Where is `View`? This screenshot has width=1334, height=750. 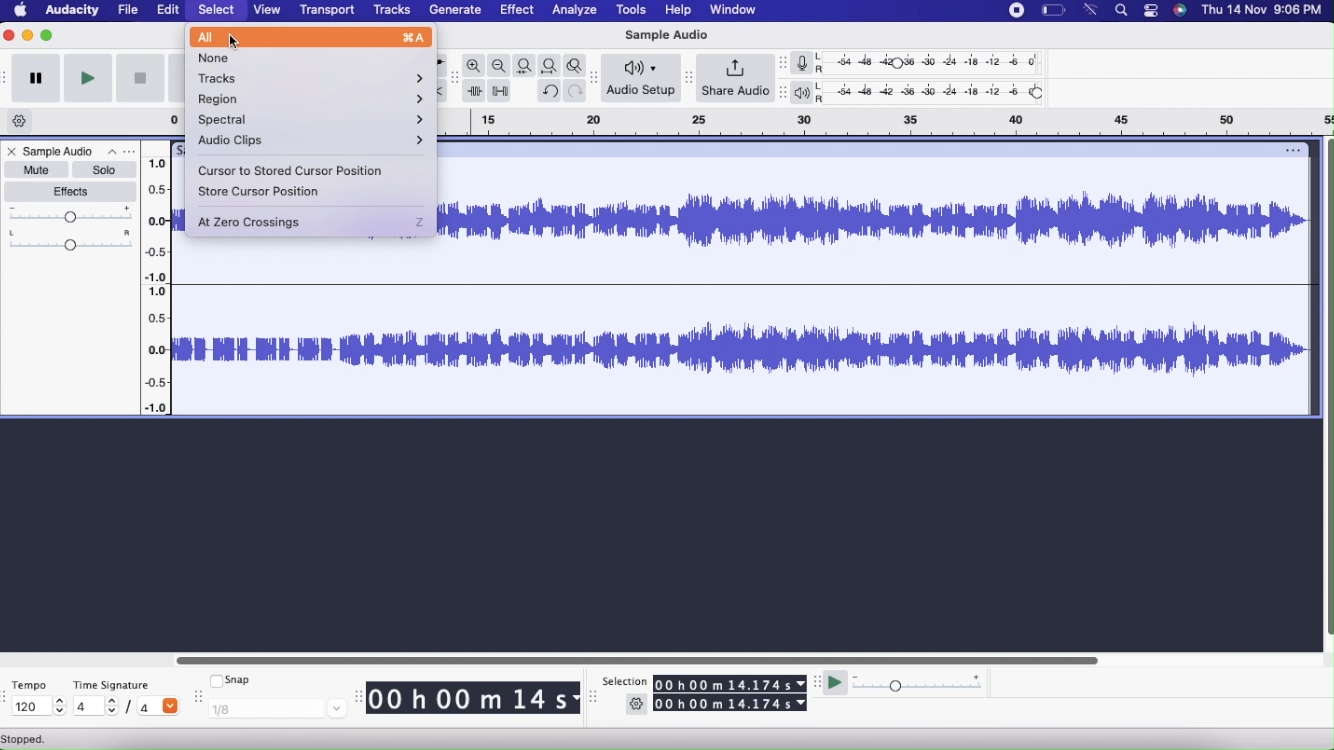
View is located at coordinates (268, 9).